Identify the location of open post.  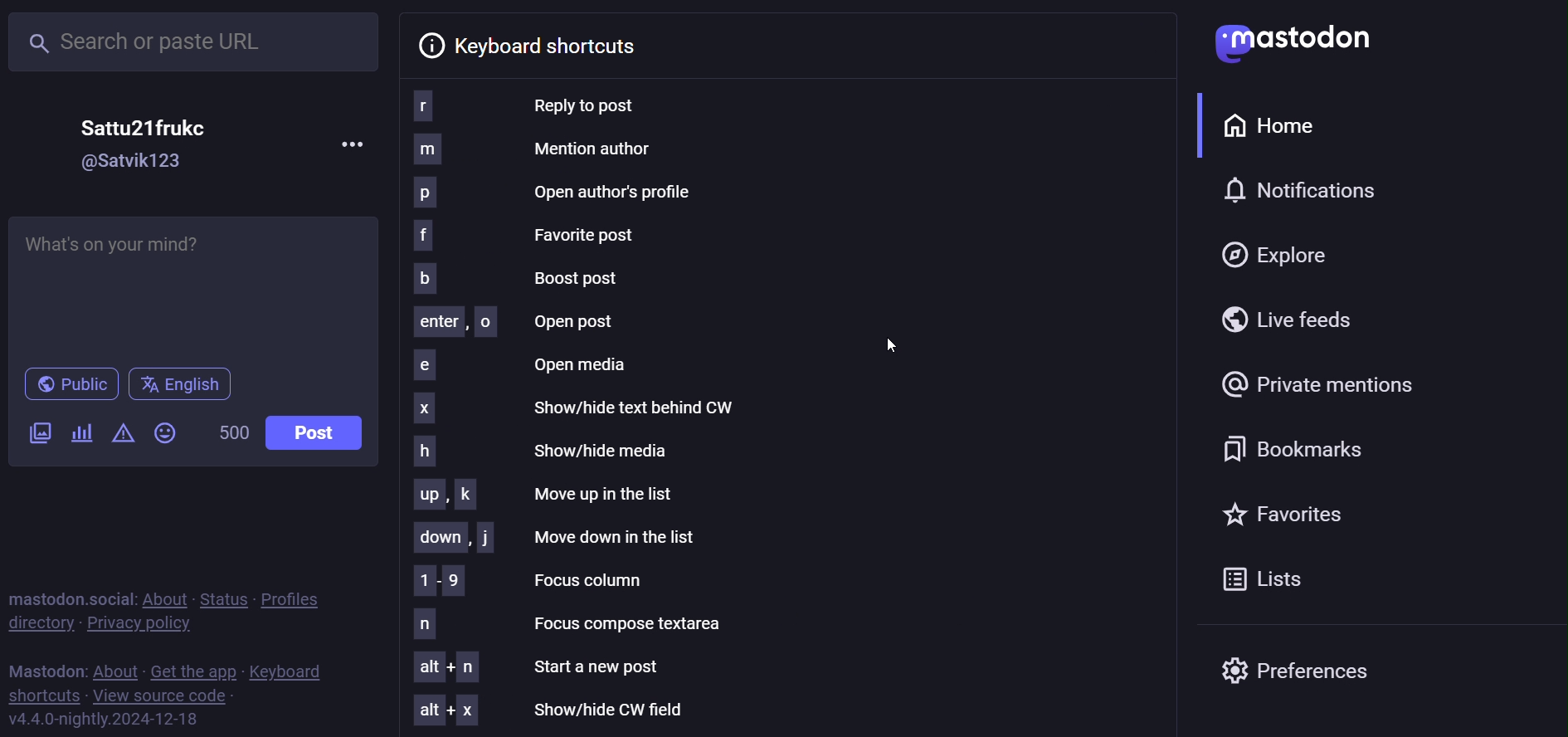
(513, 323).